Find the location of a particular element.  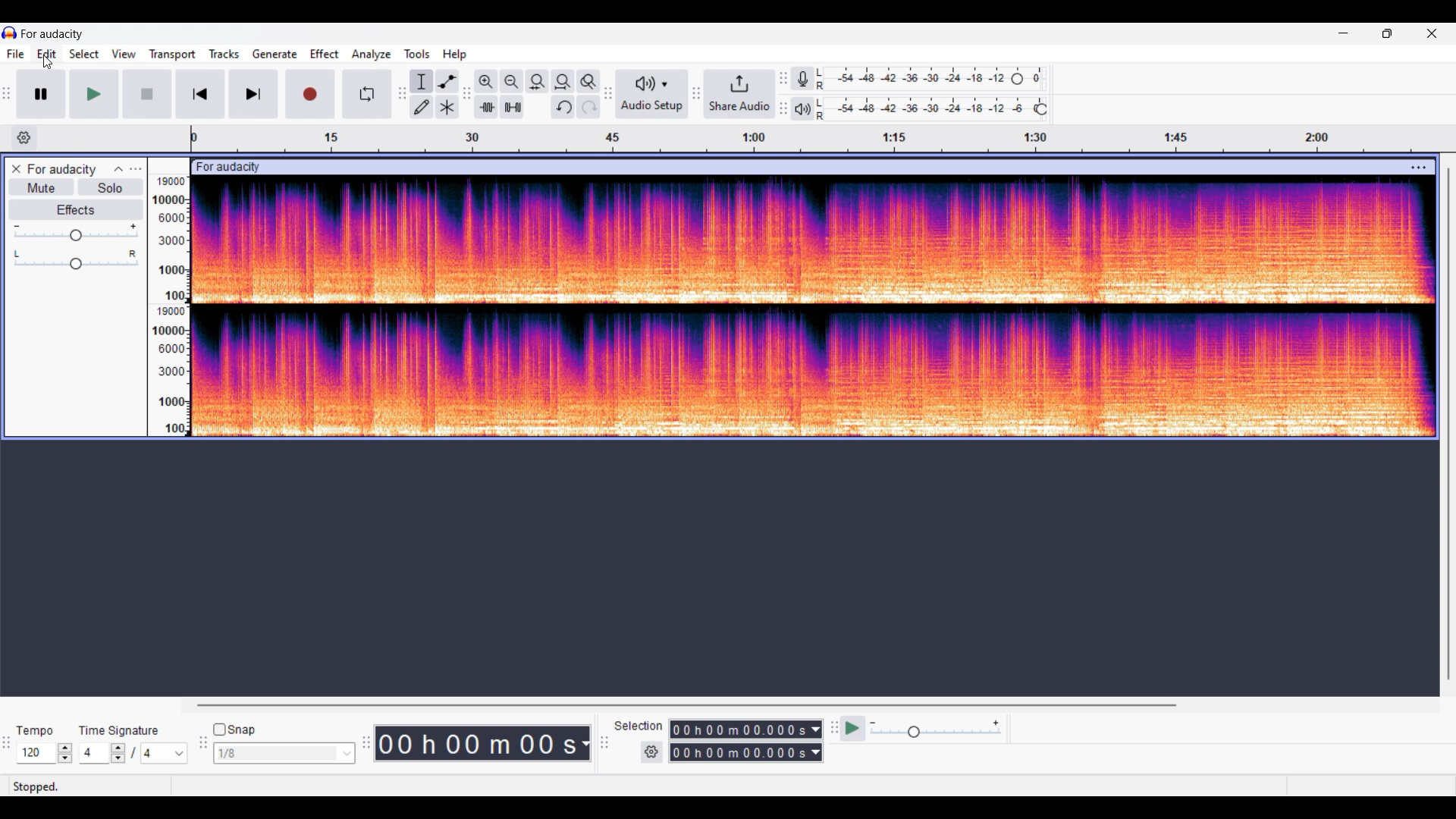

Volume slider is located at coordinates (75, 233).